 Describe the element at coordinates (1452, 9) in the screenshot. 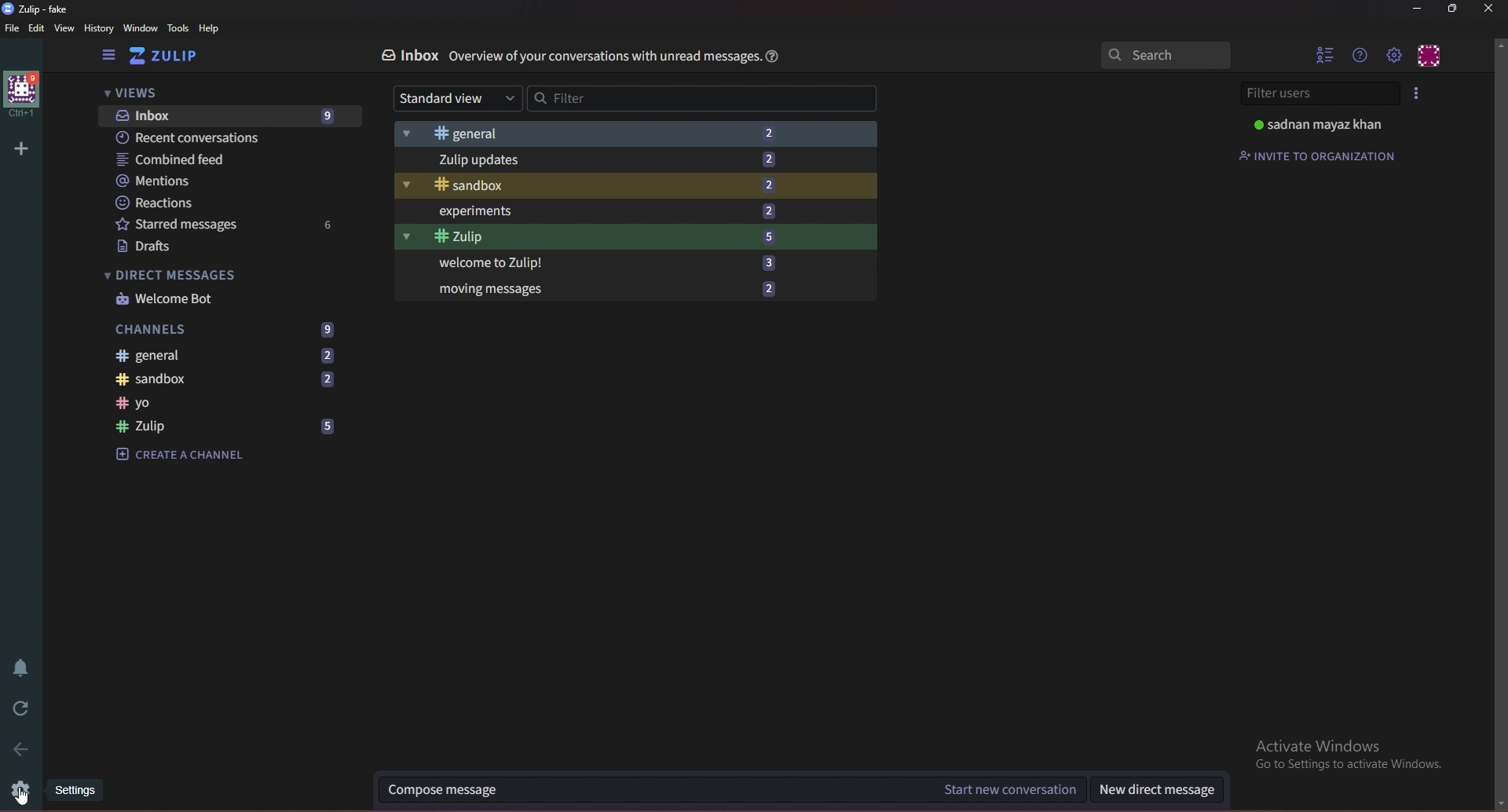

I see `resize` at that location.